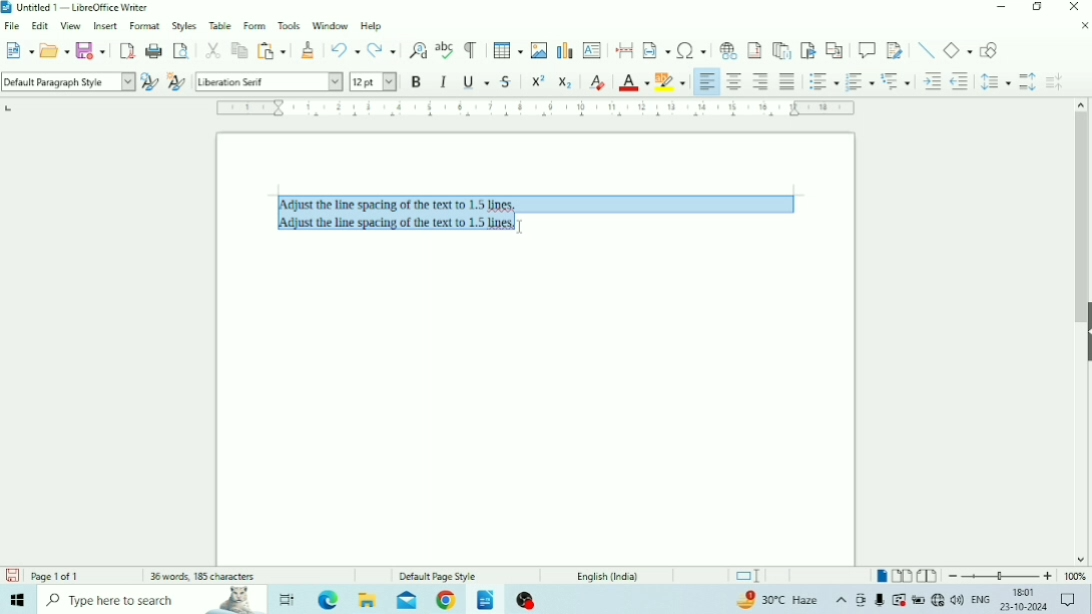 Image resolution: width=1092 pixels, height=614 pixels. I want to click on Find and Replace, so click(417, 49).